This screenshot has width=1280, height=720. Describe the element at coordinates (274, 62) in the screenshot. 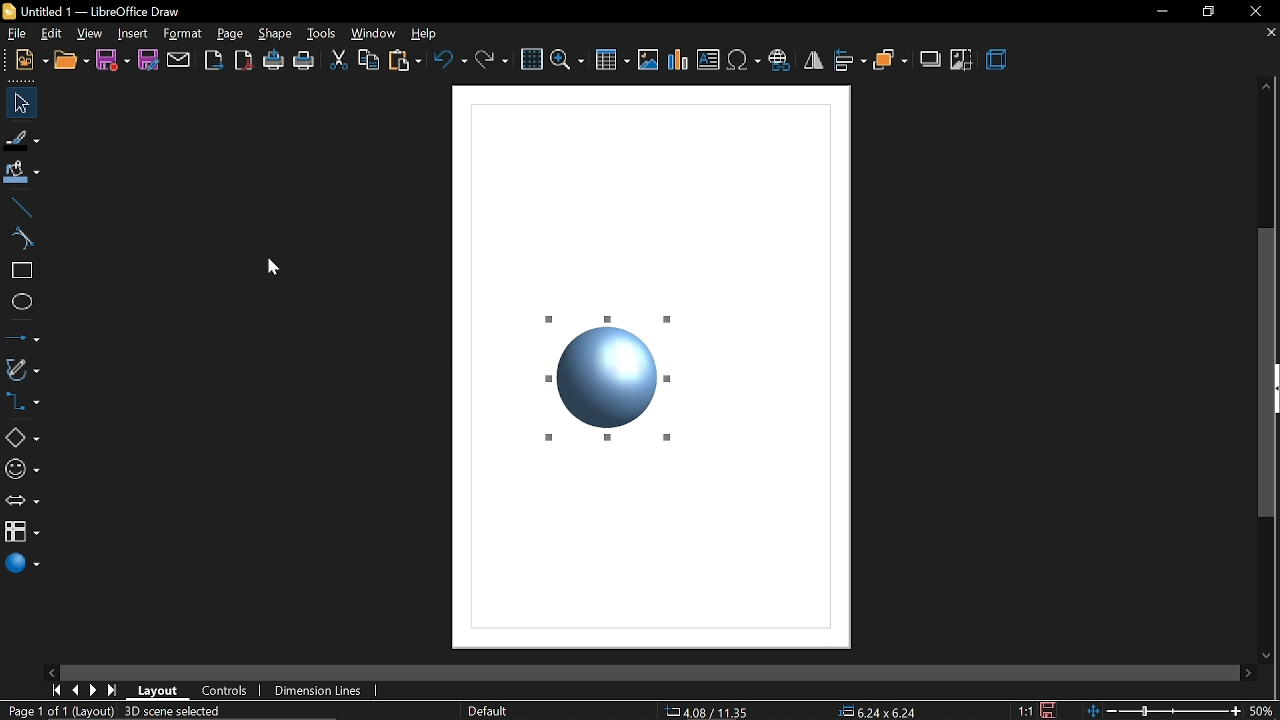

I see `print directly` at that location.